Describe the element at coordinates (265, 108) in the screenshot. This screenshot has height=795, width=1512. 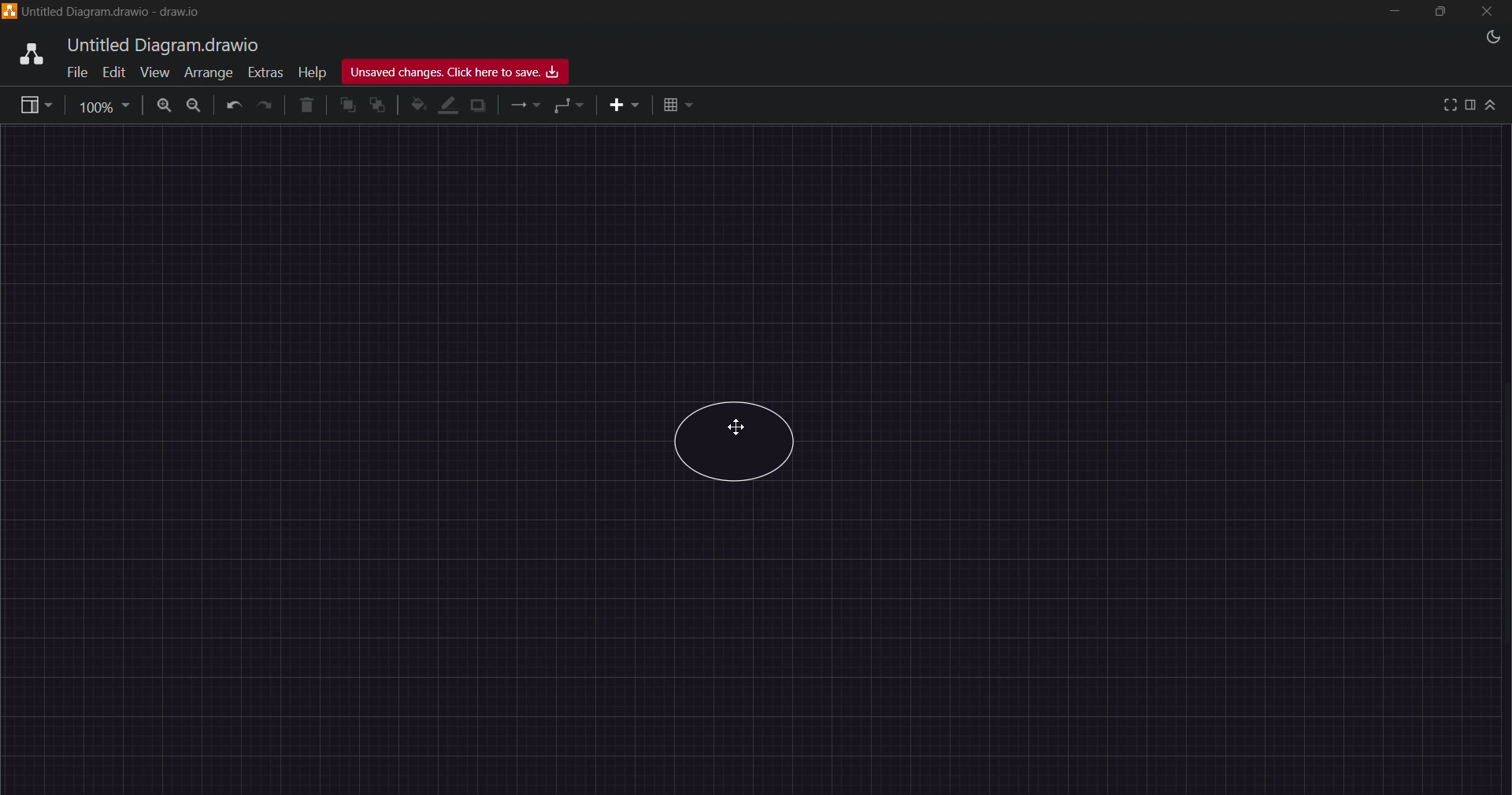
I see `redo` at that location.